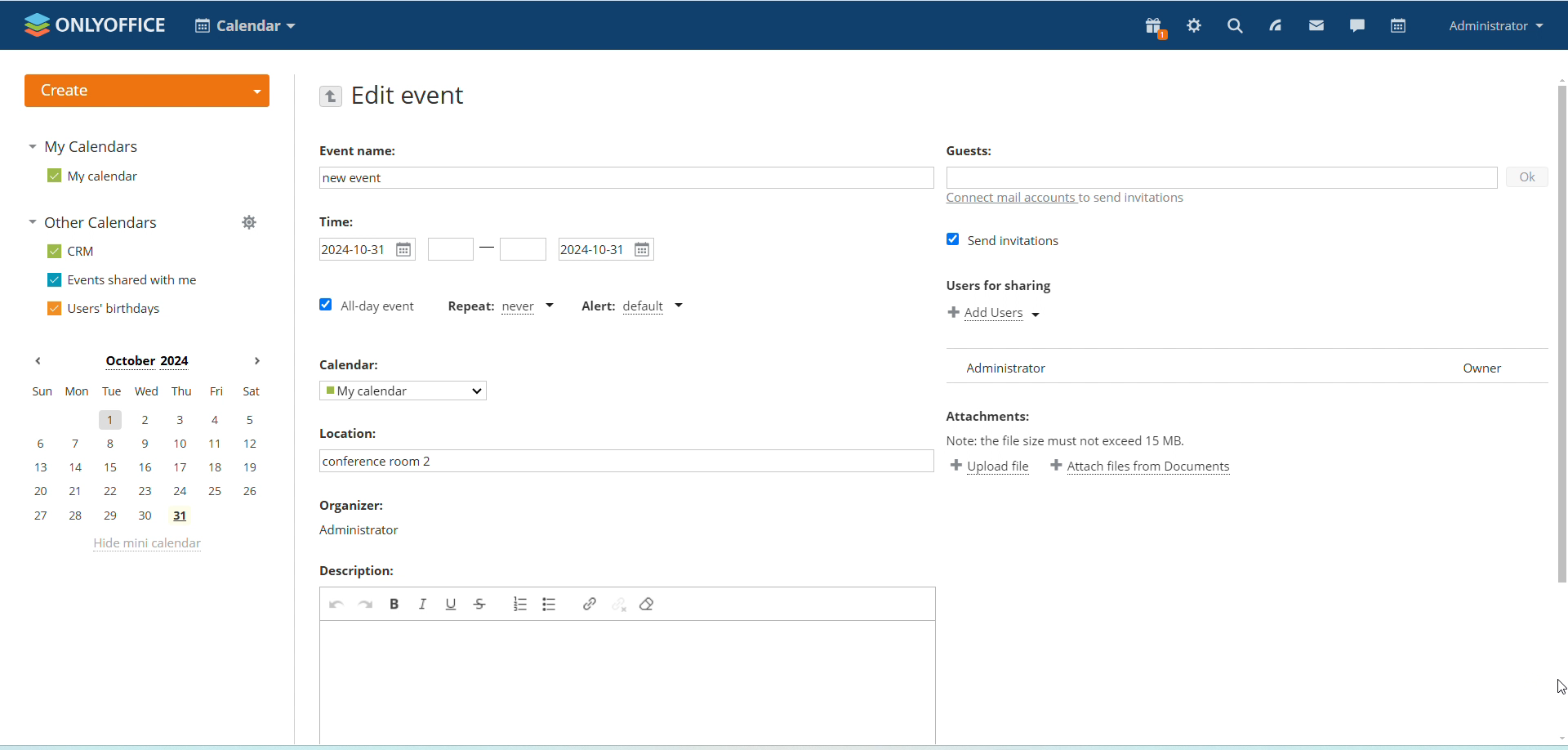 This screenshot has width=1568, height=750. Describe the element at coordinates (605, 250) in the screenshot. I see `event end date` at that location.